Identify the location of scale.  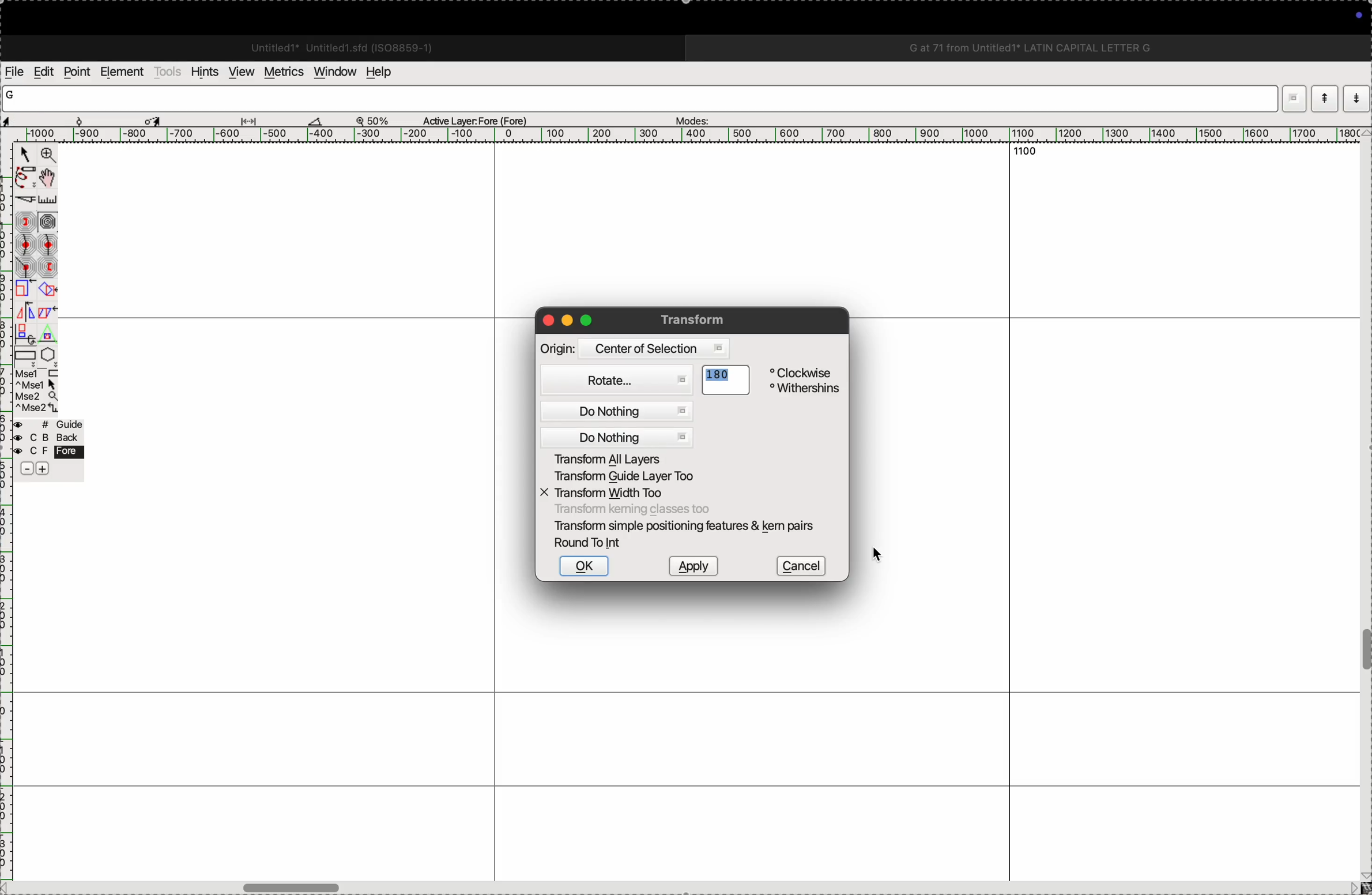
(692, 134).